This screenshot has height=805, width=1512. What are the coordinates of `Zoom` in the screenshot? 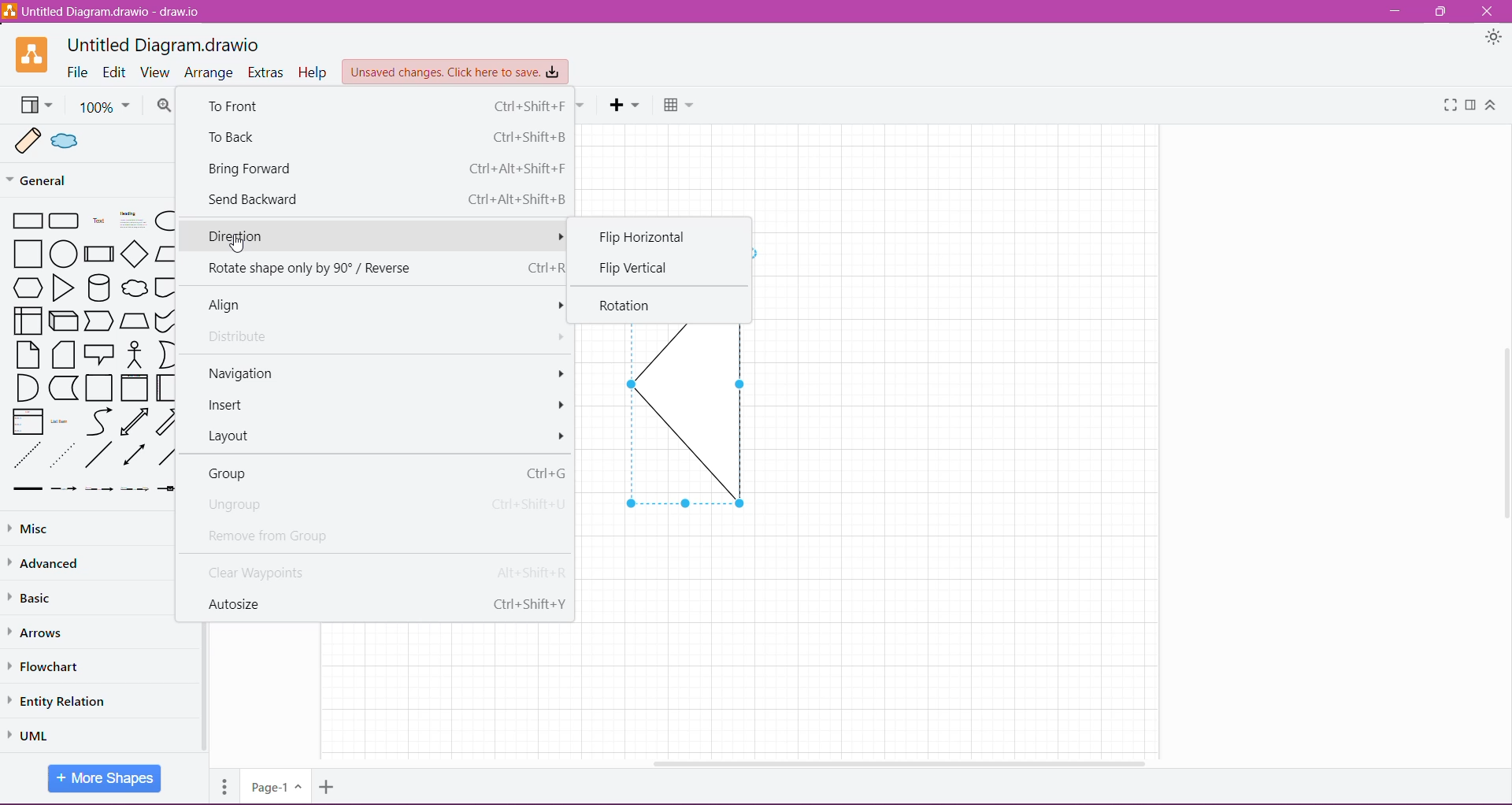 It's located at (105, 107).